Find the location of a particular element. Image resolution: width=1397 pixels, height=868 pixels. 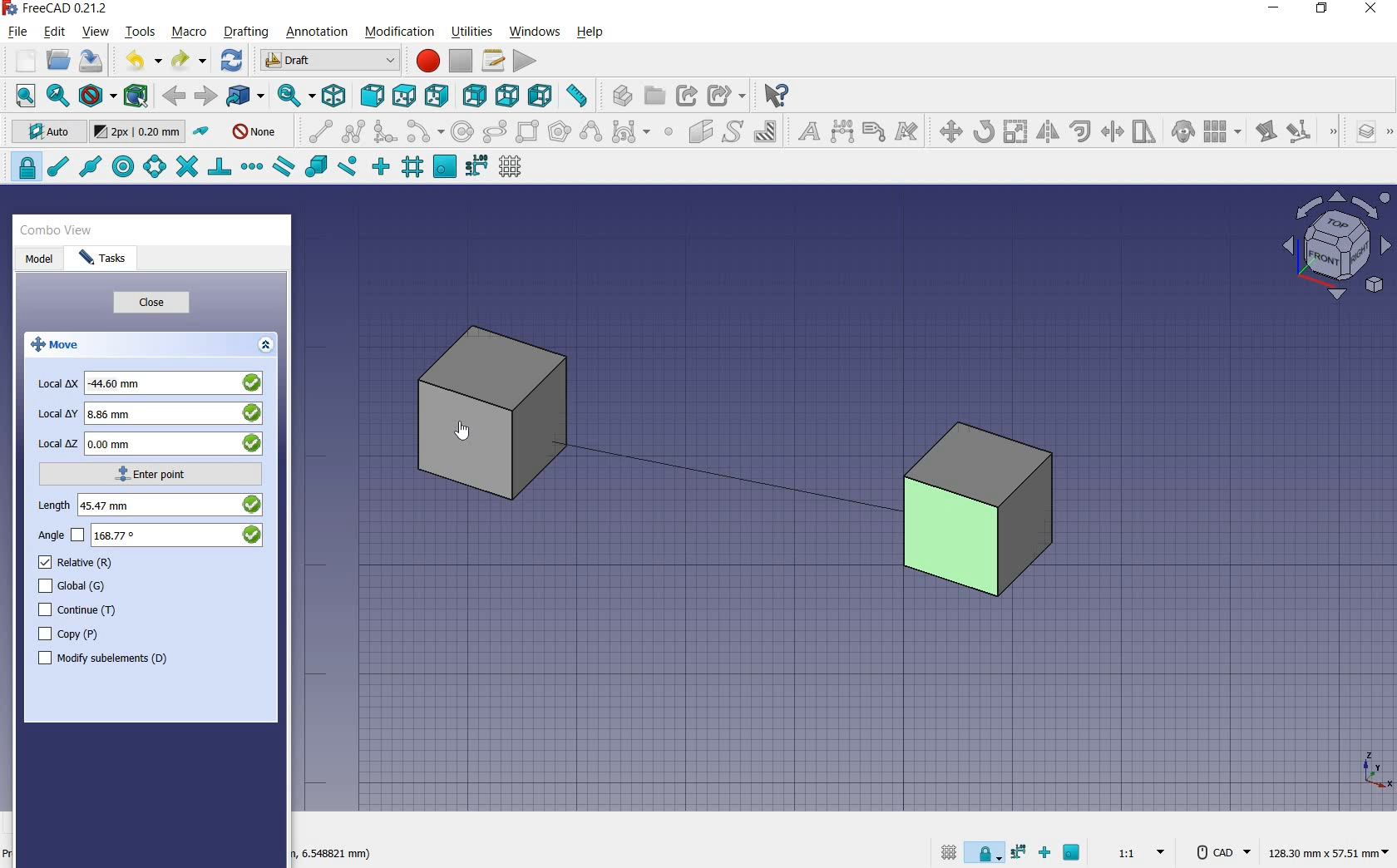

snap center is located at coordinates (125, 166).